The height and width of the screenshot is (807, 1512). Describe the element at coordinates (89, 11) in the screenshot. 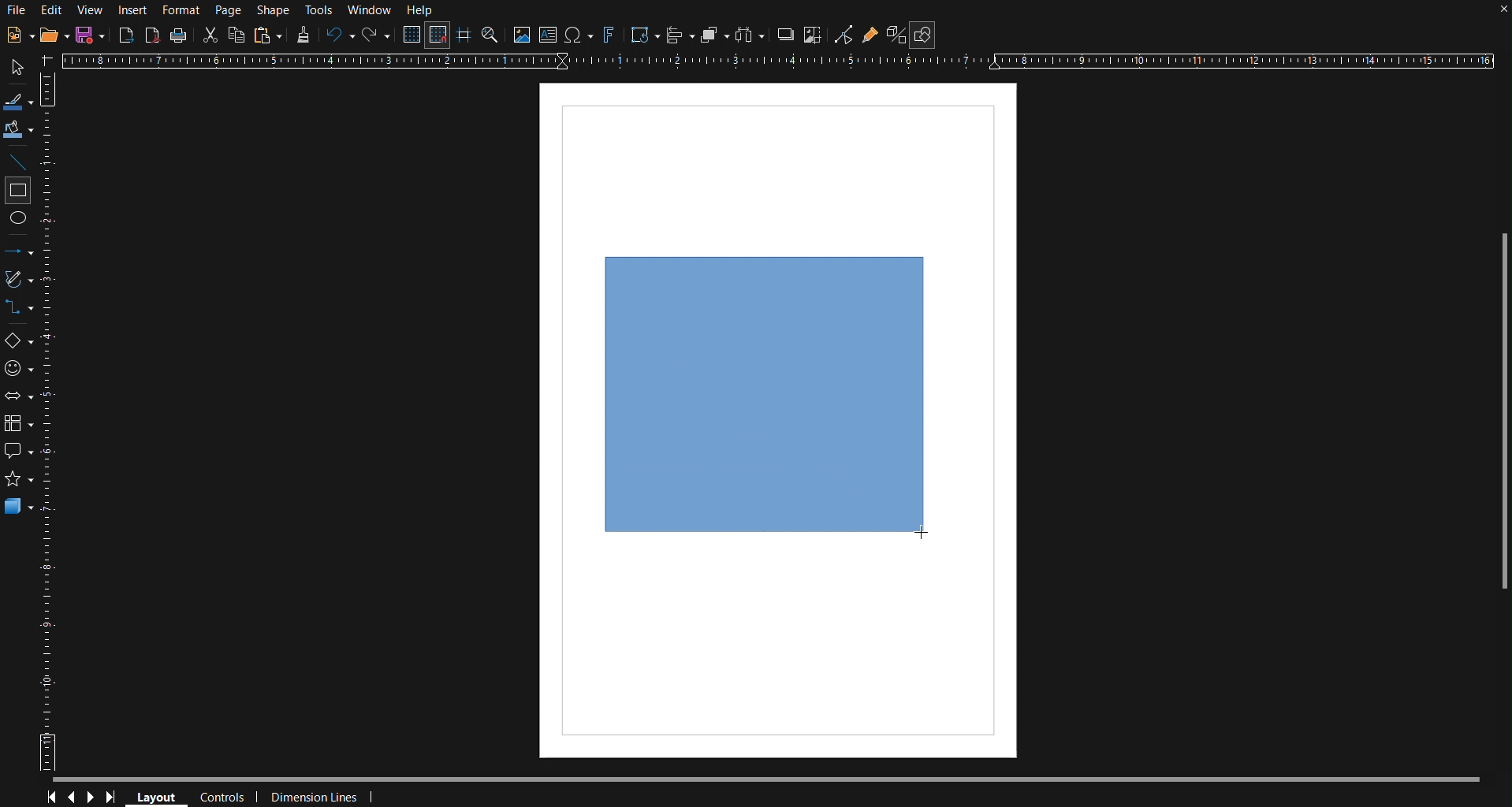

I see `View` at that location.